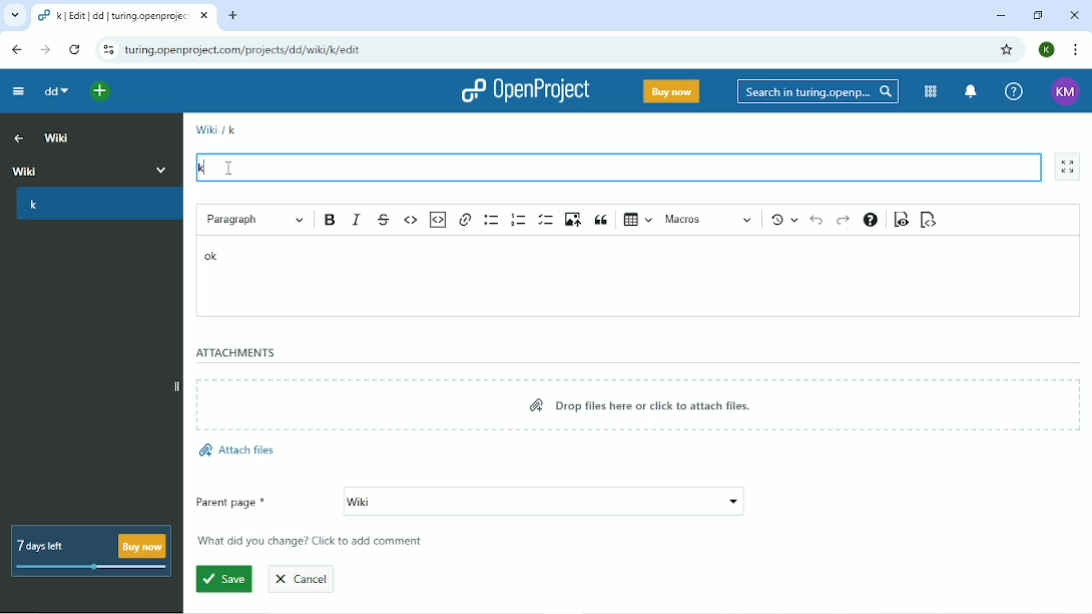 Image resolution: width=1092 pixels, height=614 pixels. I want to click on Current tab, so click(122, 18).